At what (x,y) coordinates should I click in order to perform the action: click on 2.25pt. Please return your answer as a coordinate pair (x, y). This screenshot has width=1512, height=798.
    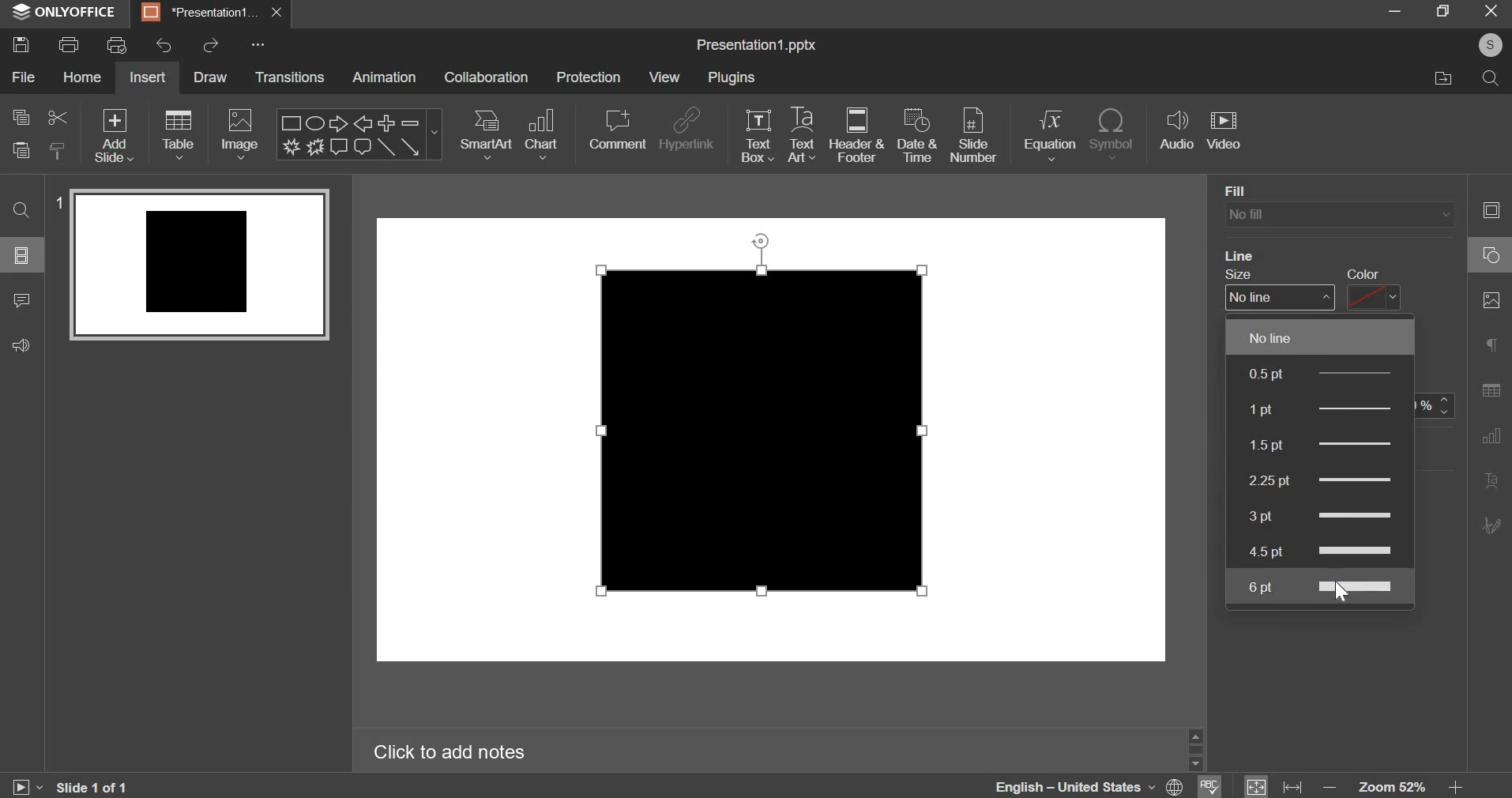
    Looking at the image, I should click on (1315, 480).